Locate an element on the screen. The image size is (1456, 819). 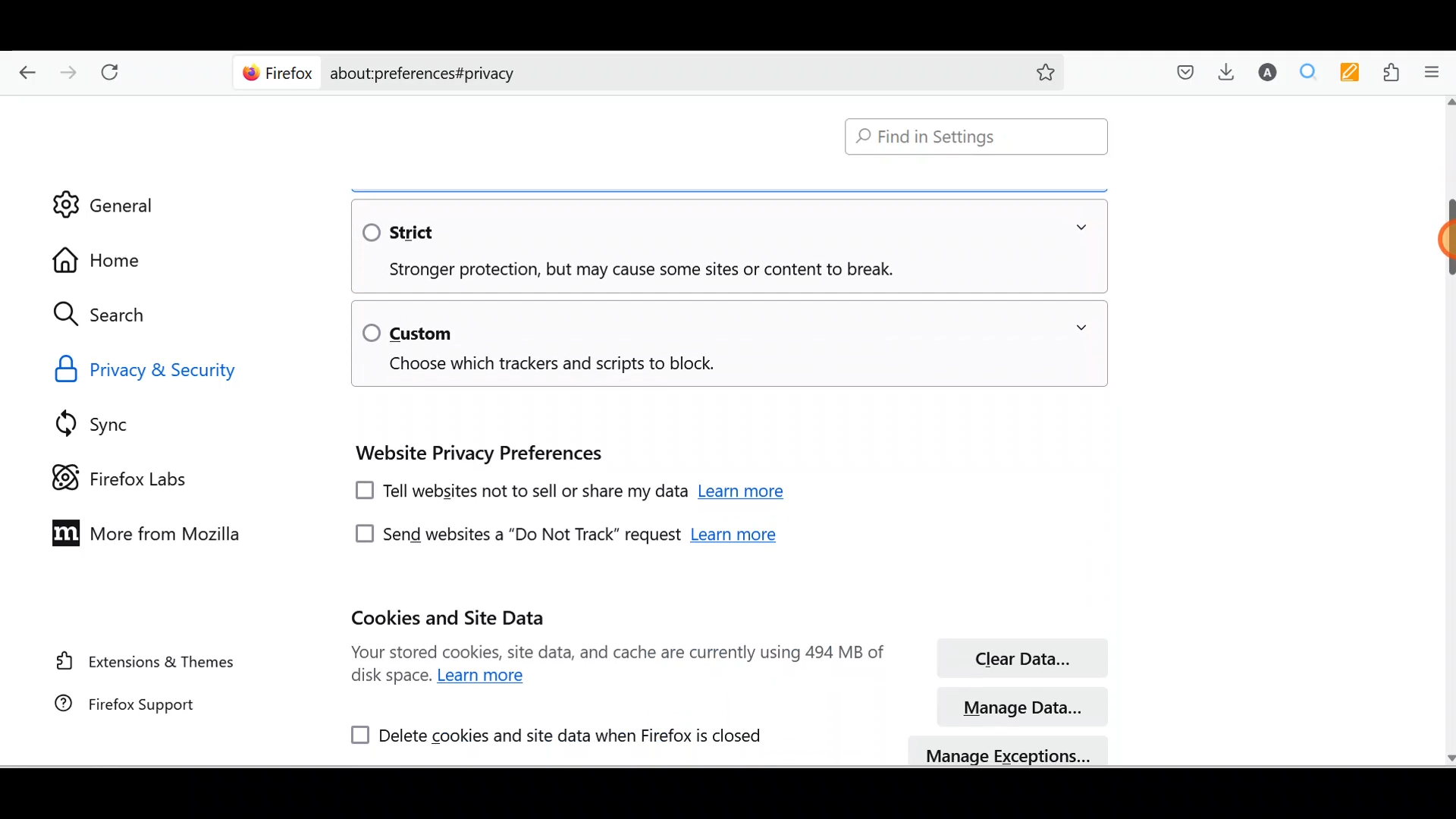
Send websites a "Do Not Track" request. is located at coordinates (513, 535).